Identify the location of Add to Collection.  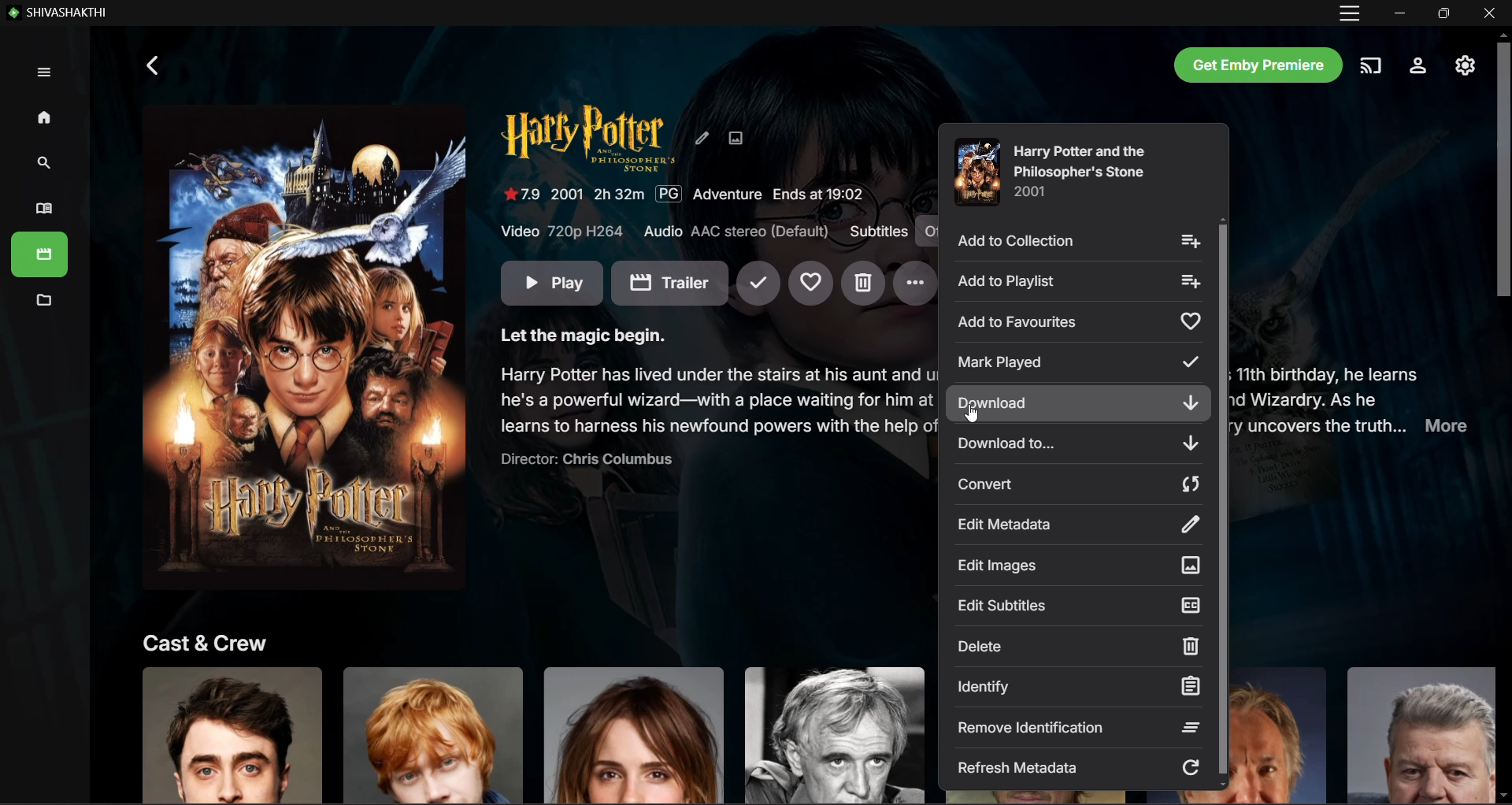
(1075, 239).